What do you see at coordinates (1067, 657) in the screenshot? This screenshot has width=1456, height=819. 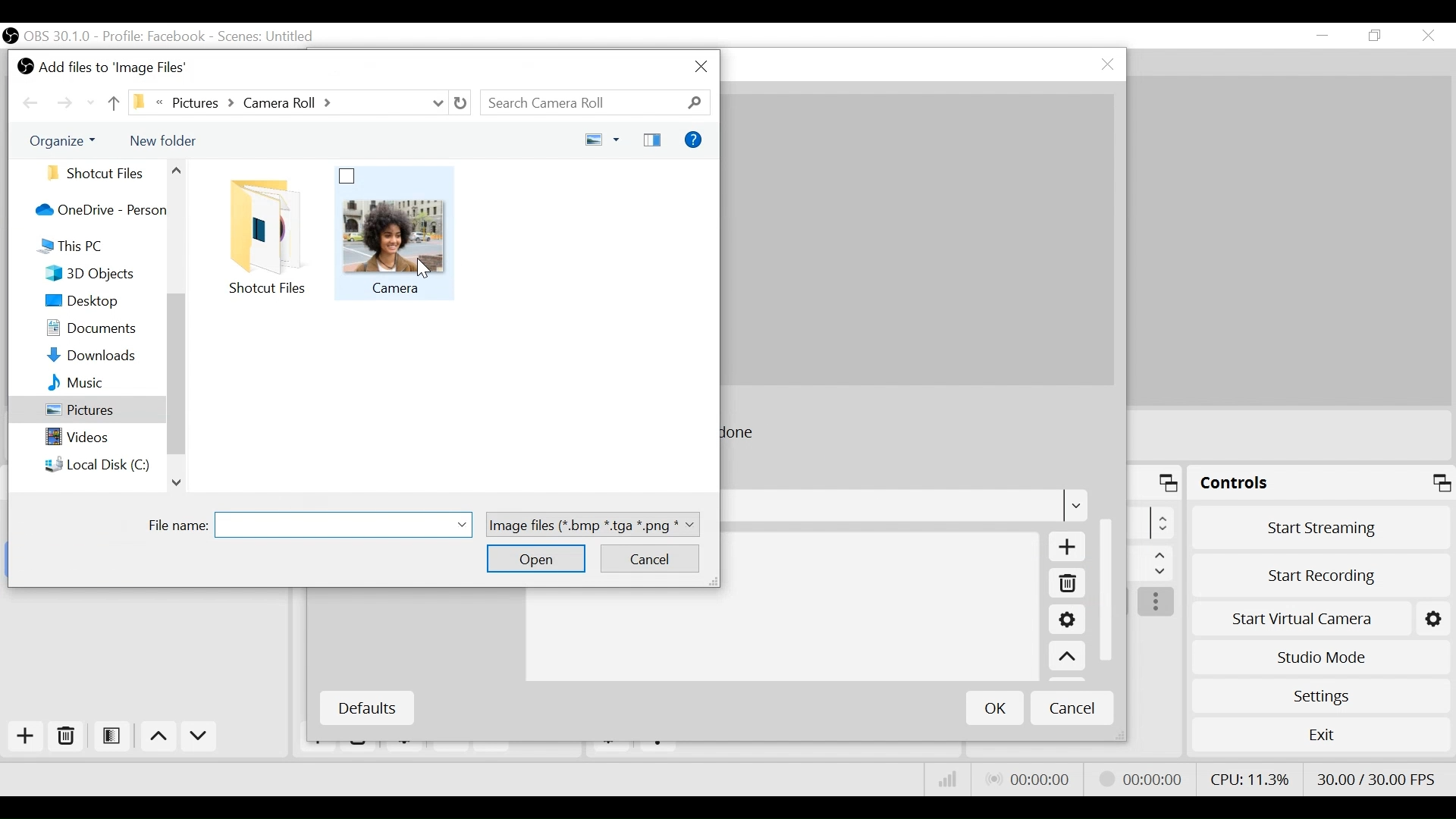 I see `Move up` at bounding box center [1067, 657].